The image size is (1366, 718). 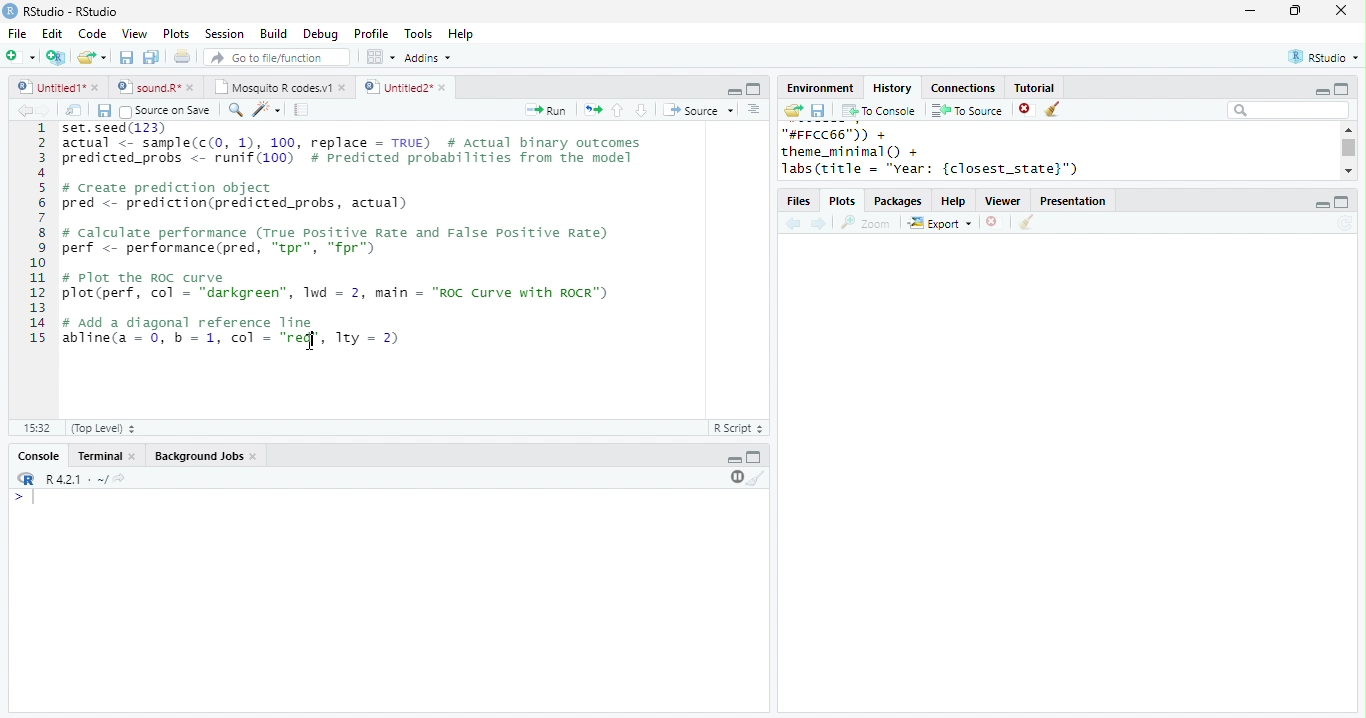 What do you see at coordinates (962, 88) in the screenshot?
I see `Connections` at bounding box center [962, 88].